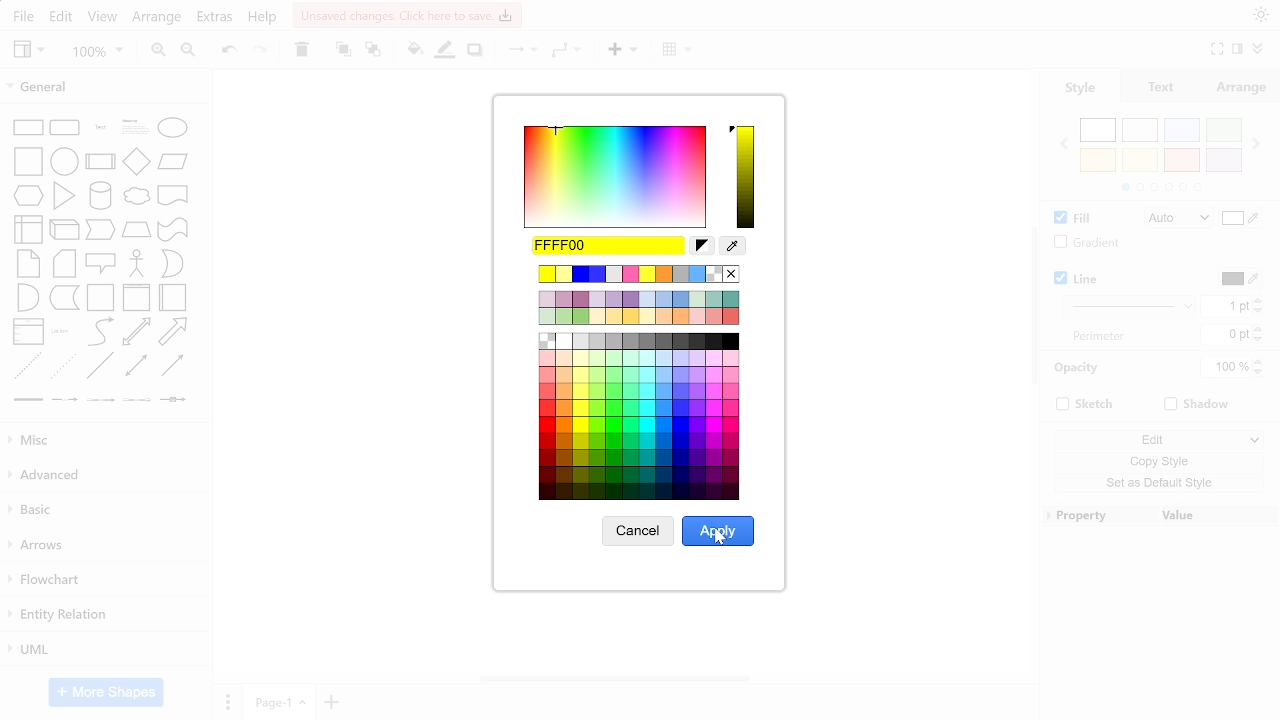 This screenshot has height=720, width=1280. Describe the element at coordinates (718, 530) in the screenshot. I see `apply` at that location.